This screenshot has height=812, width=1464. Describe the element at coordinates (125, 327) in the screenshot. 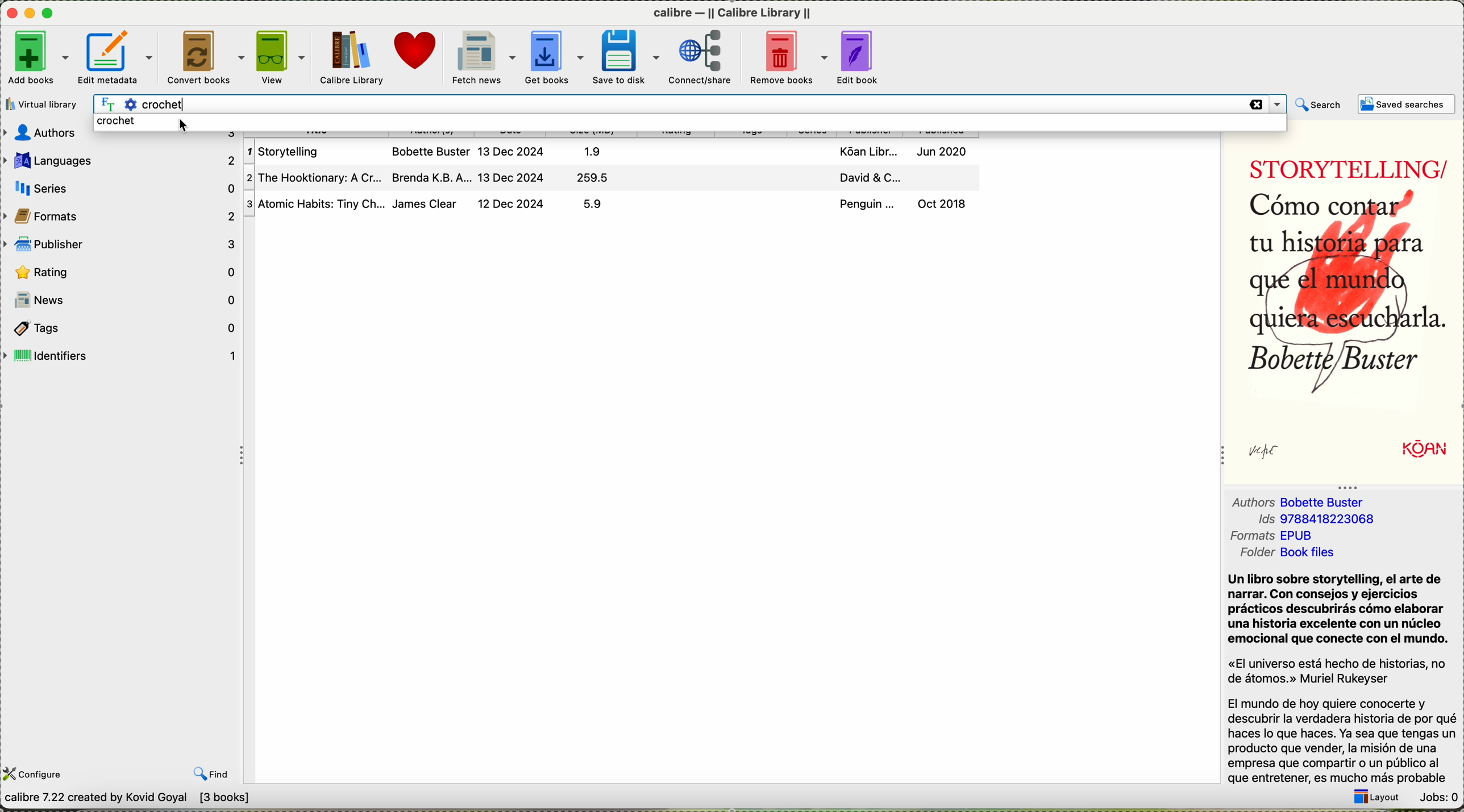

I see `tags` at that location.